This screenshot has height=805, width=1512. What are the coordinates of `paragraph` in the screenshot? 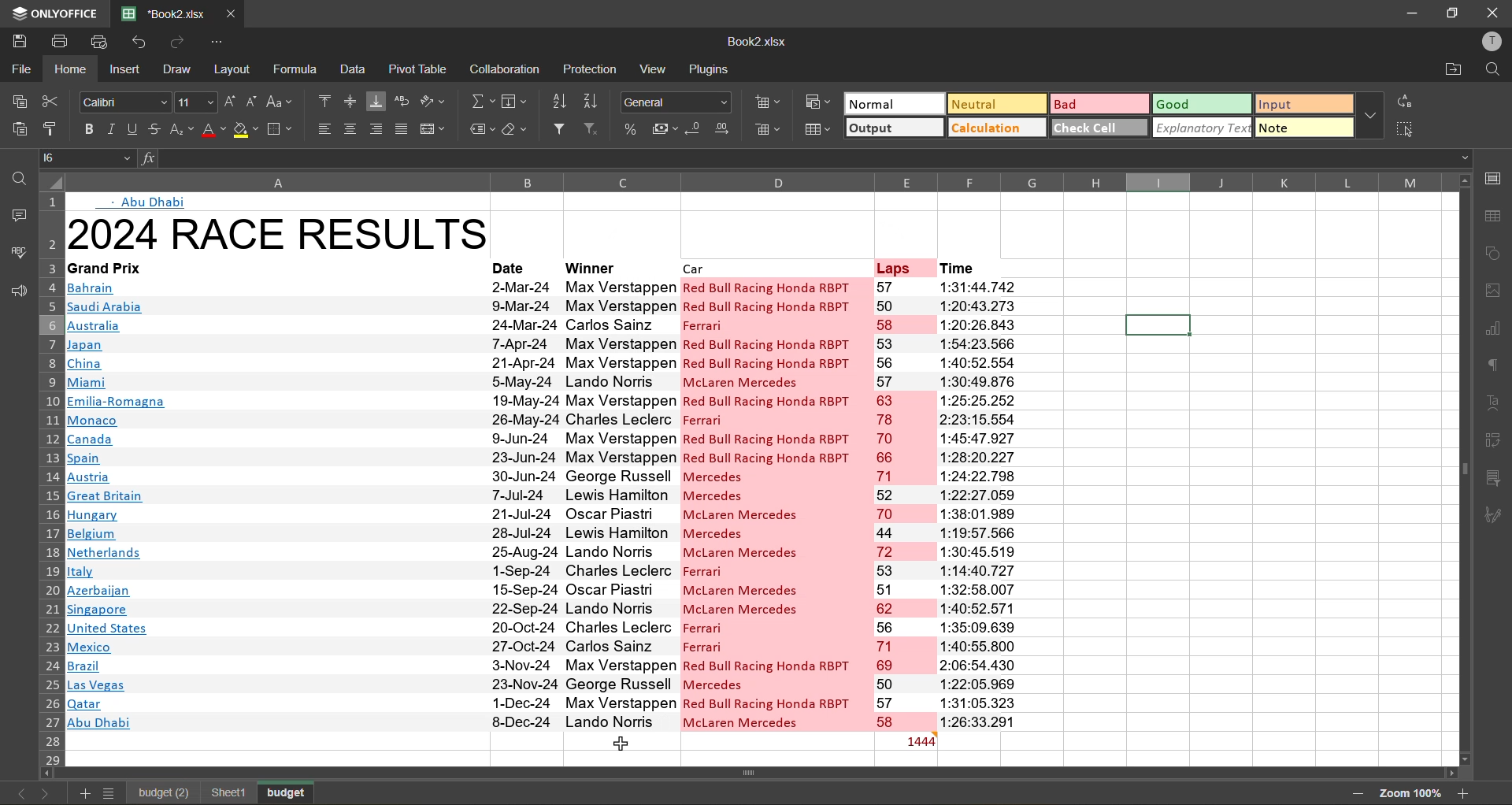 It's located at (1495, 364).